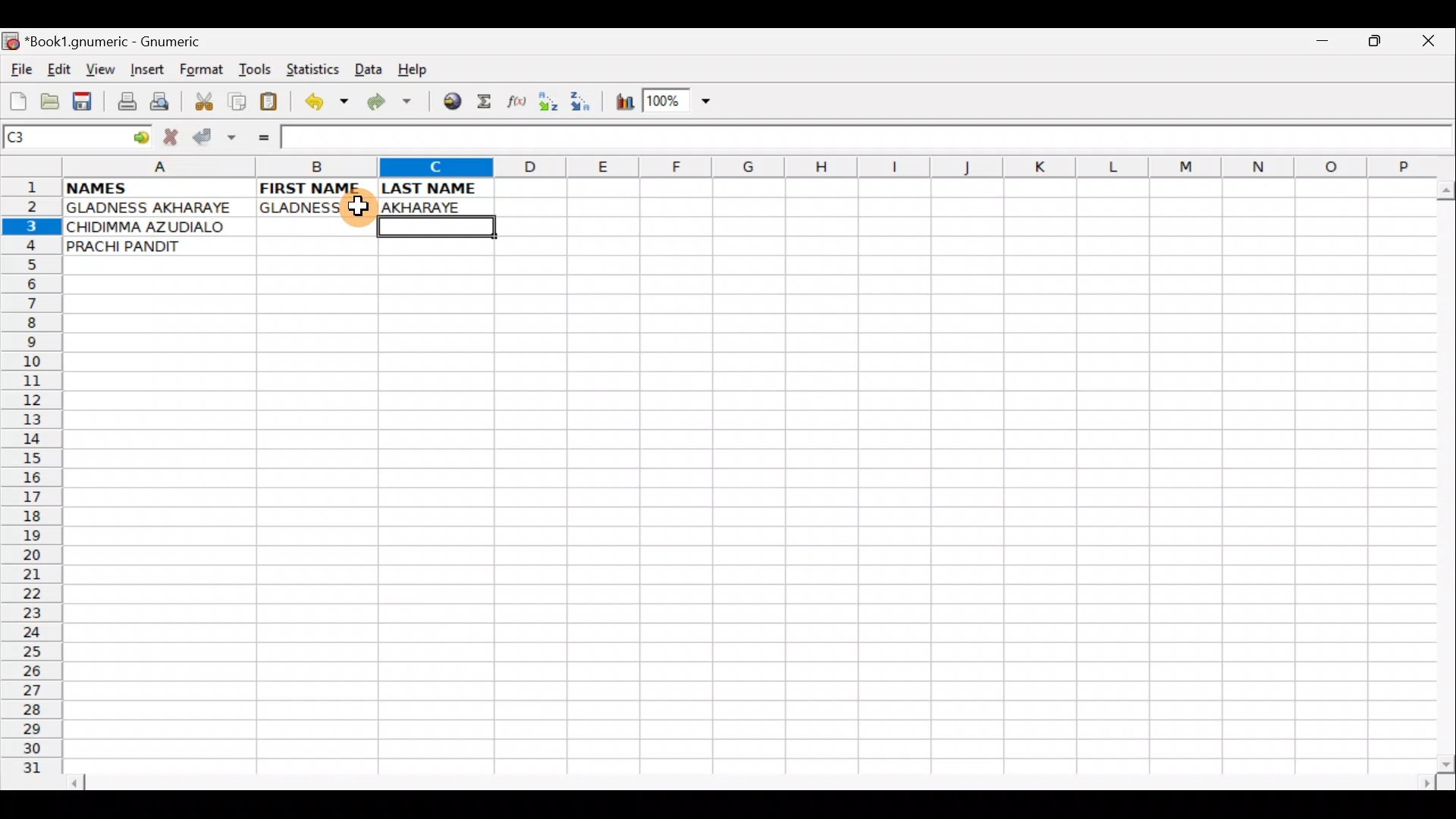 This screenshot has width=1456, height=819. What do you see at coordinates (1319, 45) in the screenshot?
I see `Minimize` at bounding box center [1319, 45].